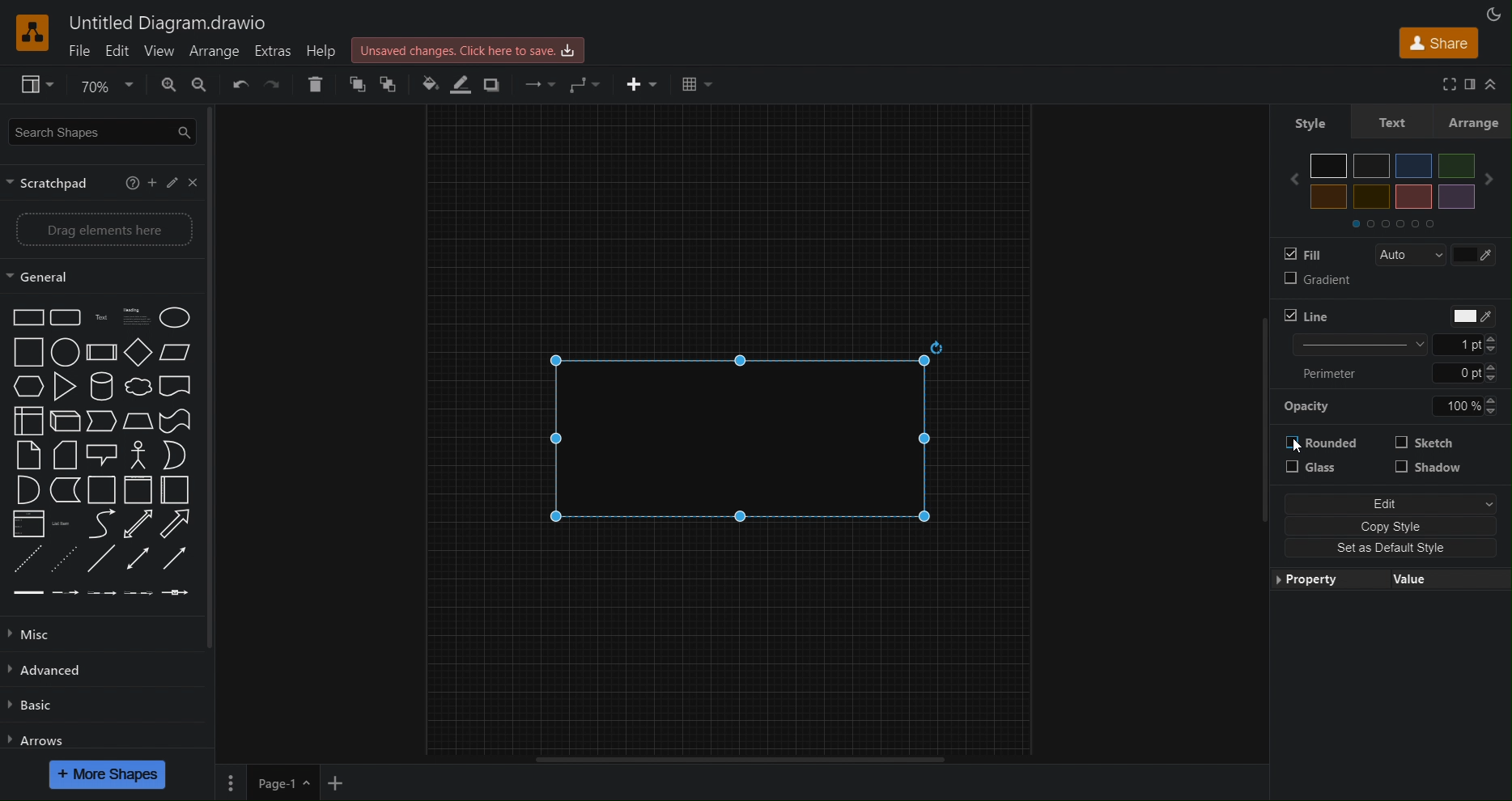 This screenshot has height=801, width=1512. I want to click on View, so click(158, 51).